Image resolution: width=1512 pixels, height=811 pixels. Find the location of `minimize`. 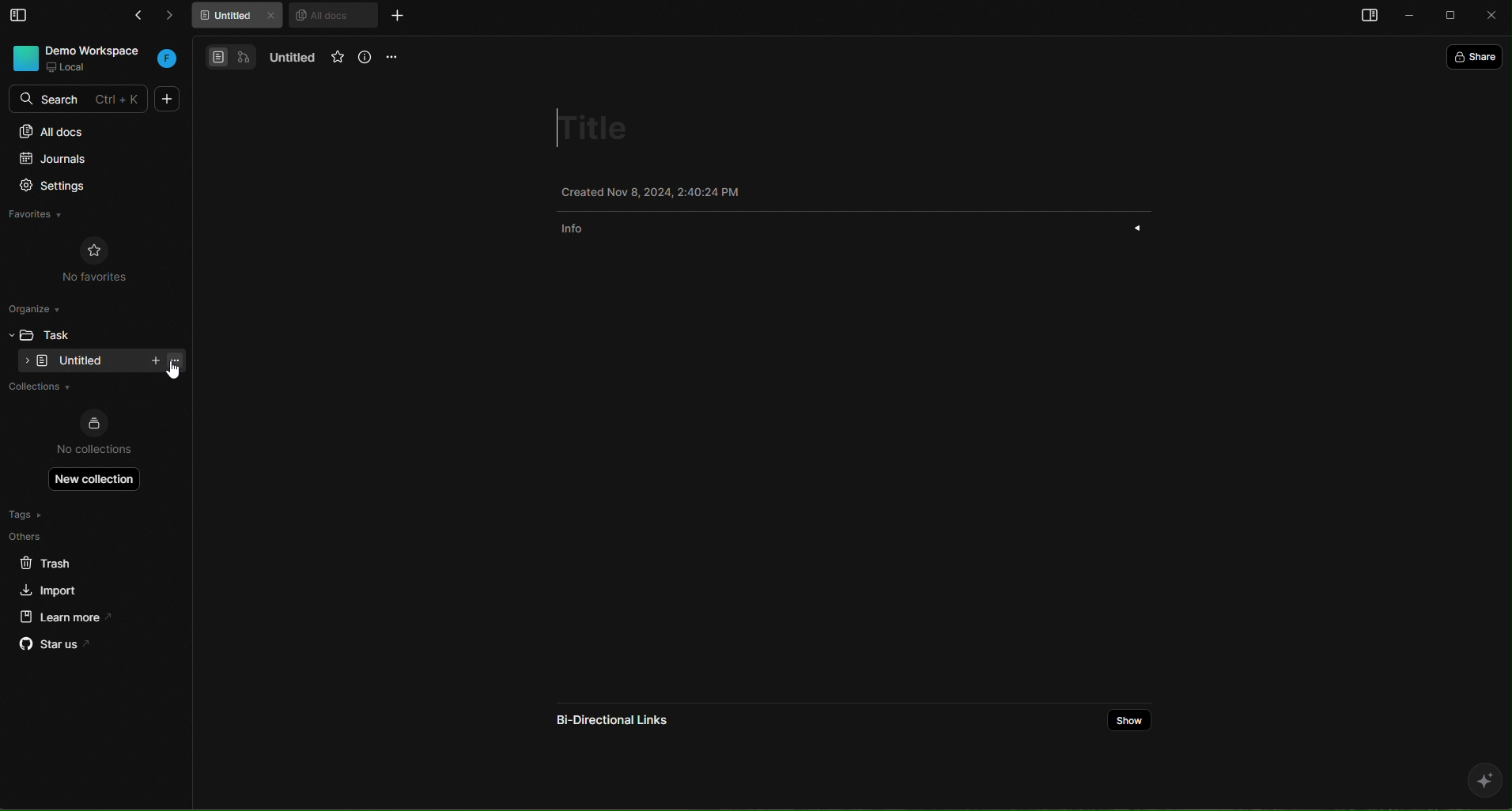

minimize is located at coordinates (1411, 17).